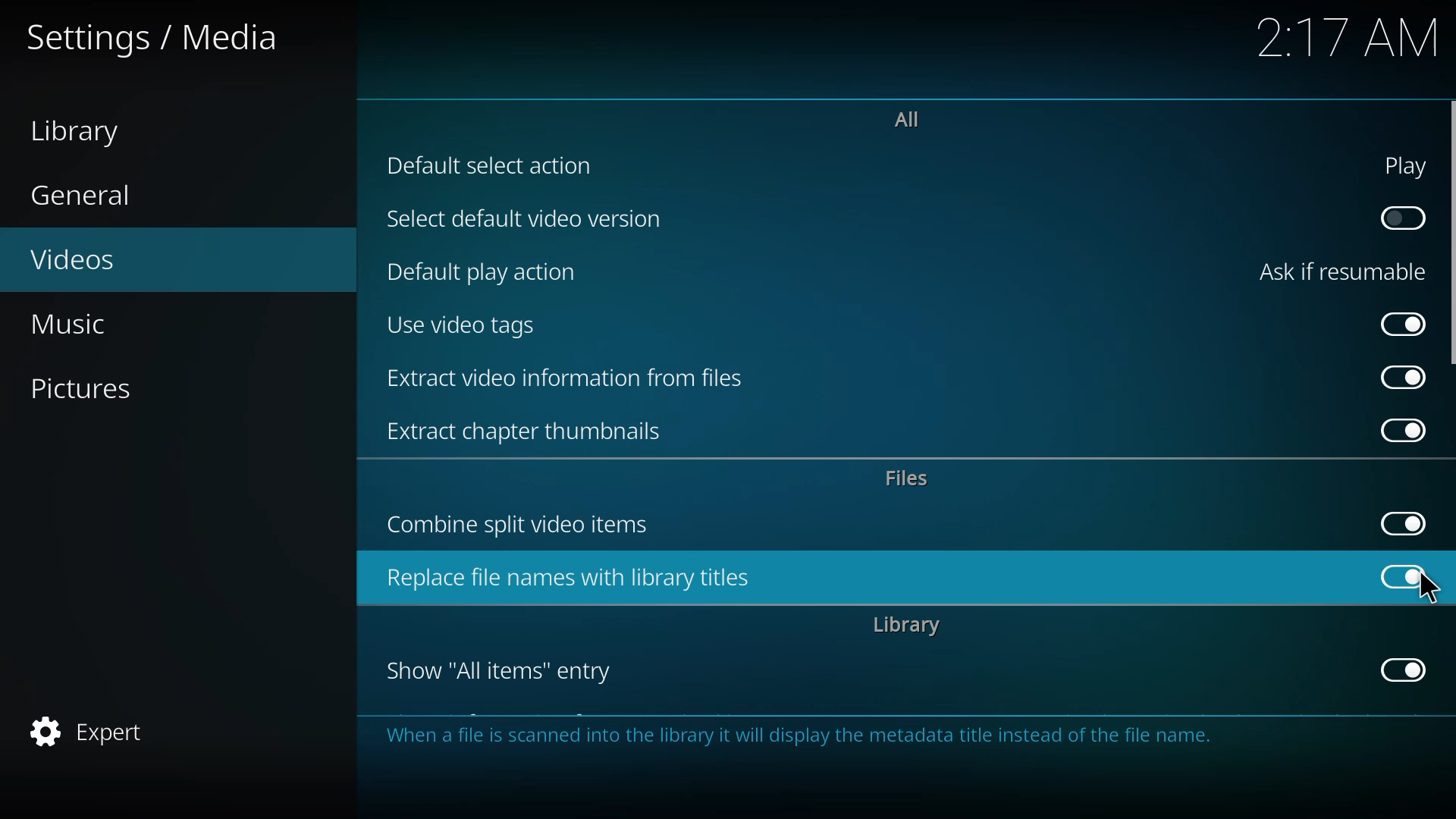  What do you see at coordinates (80, 262) in the screenshot?
I see `videos` at bounding box center [80, 262].